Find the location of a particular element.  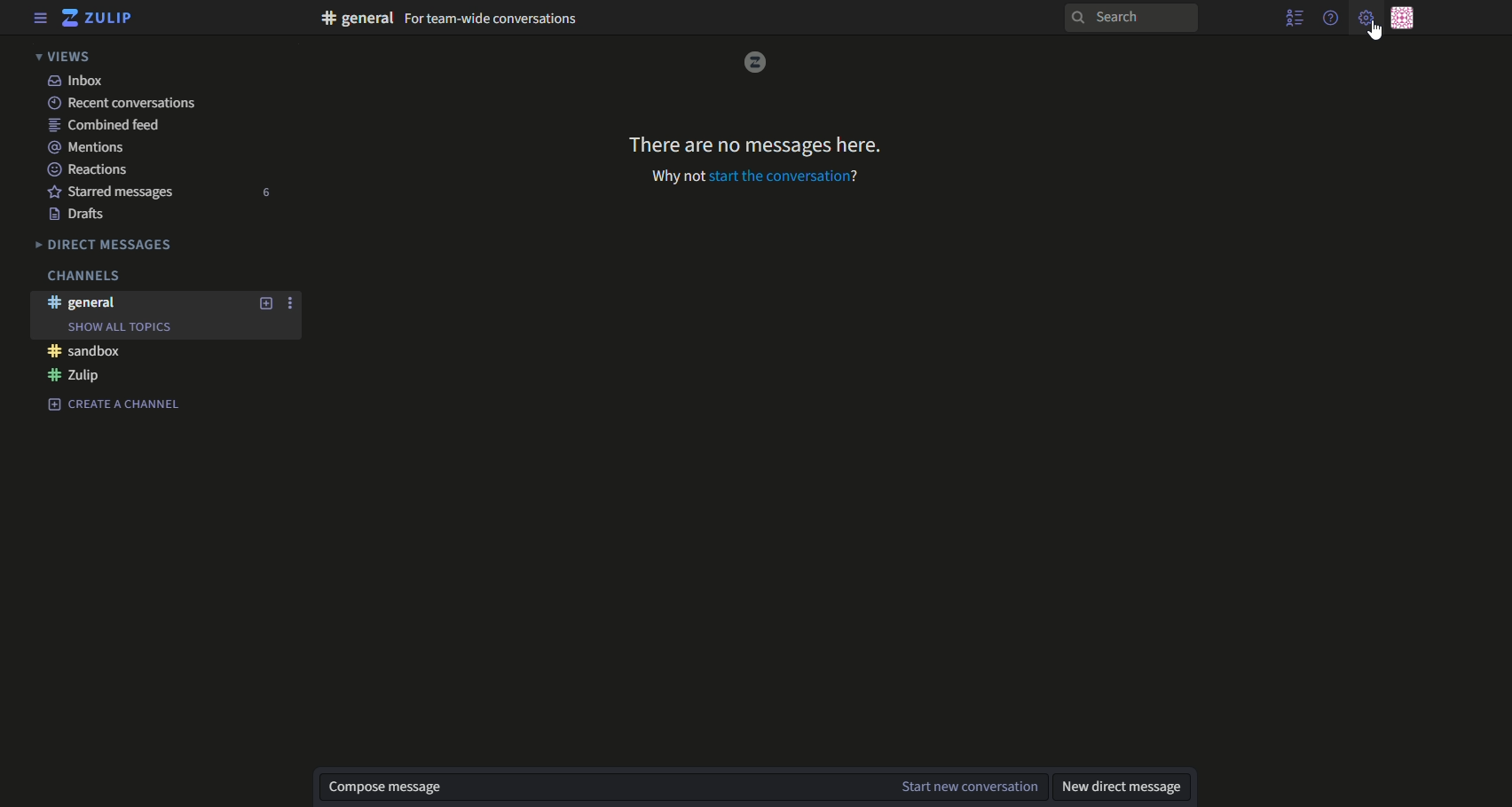

Reactions is located at coordinates (91, 169).